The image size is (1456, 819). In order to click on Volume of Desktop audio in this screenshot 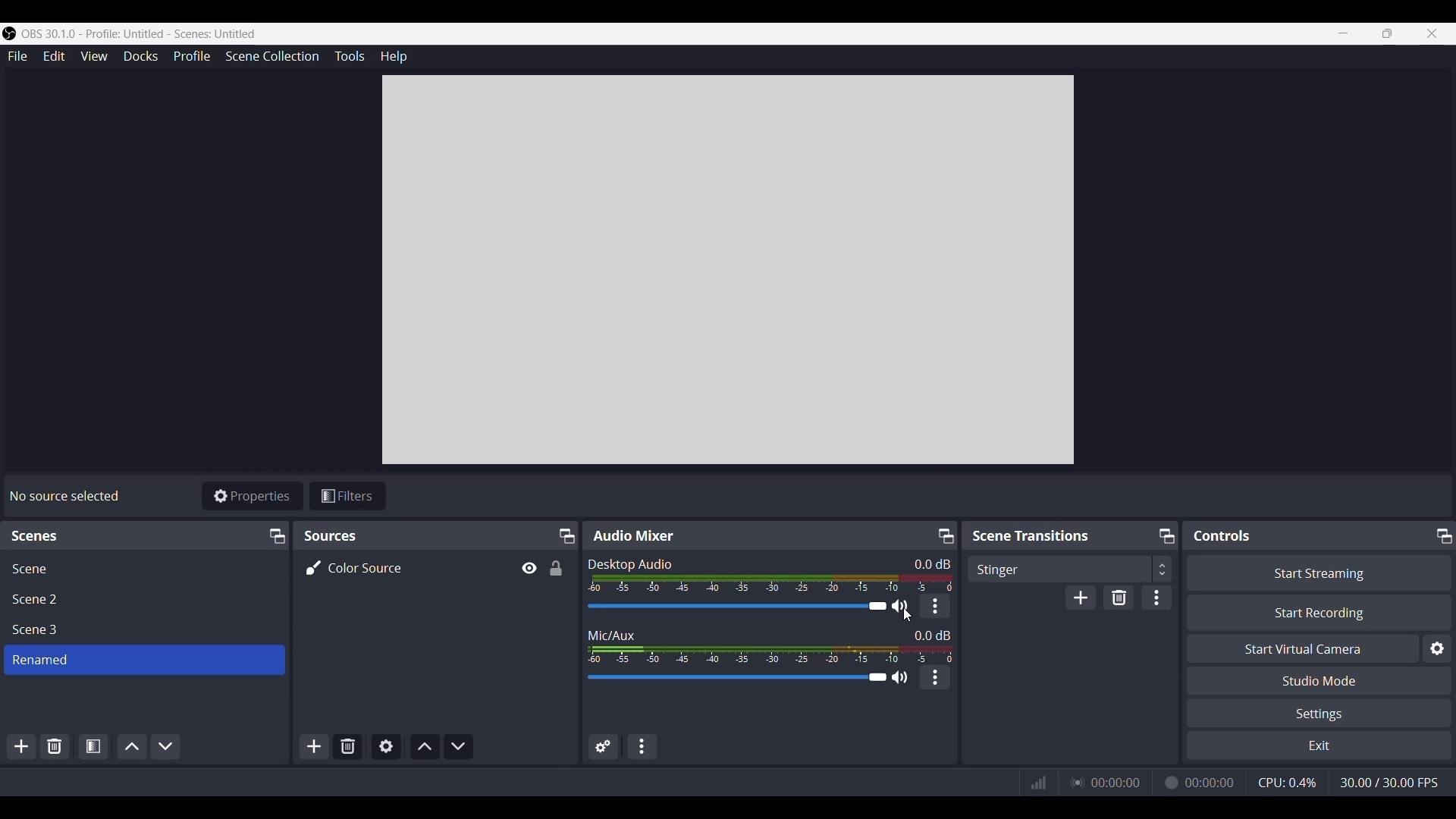, I will do `click(771, 582)`.